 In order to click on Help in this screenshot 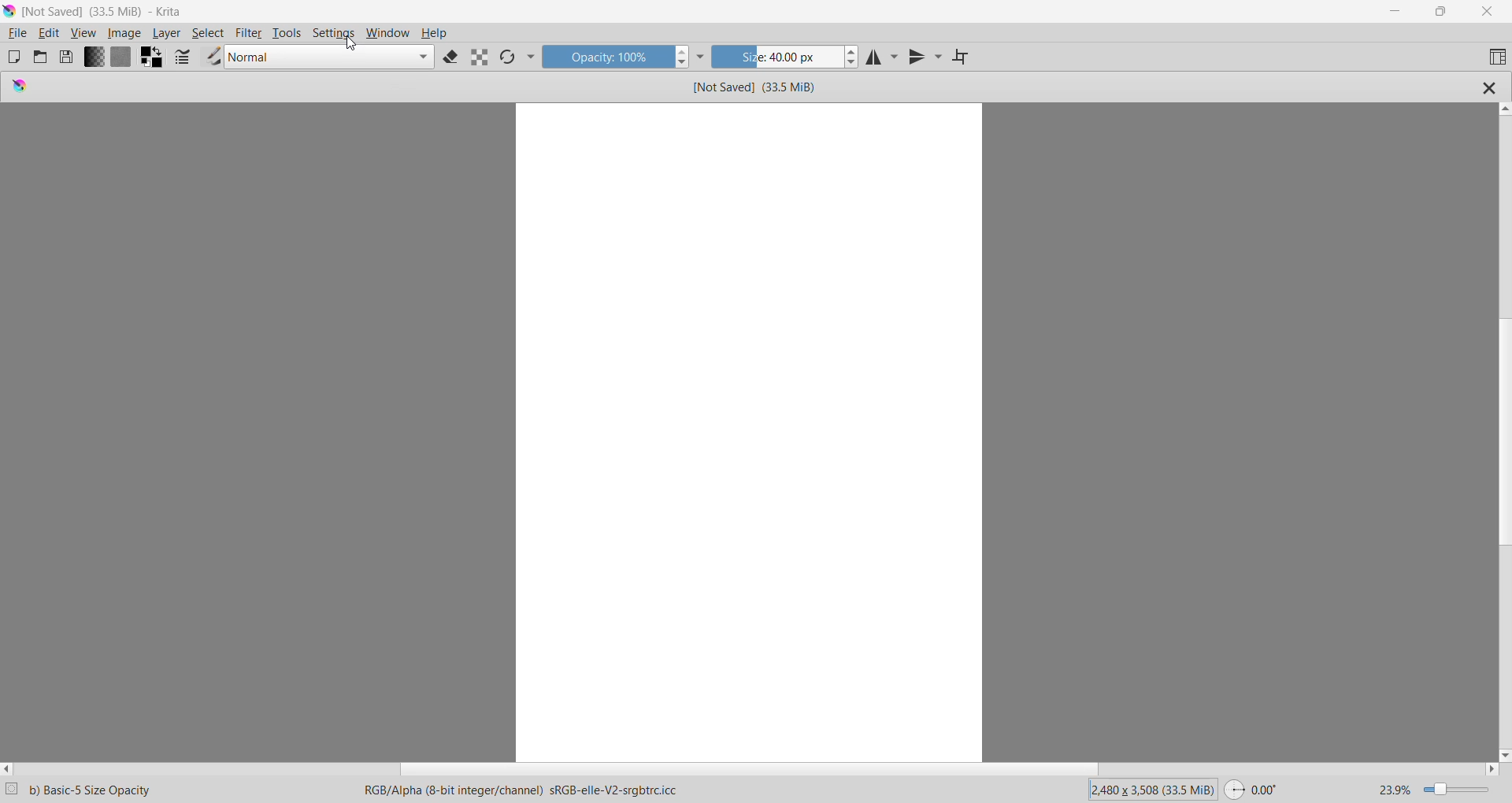, I will do `click(434, 32)`.